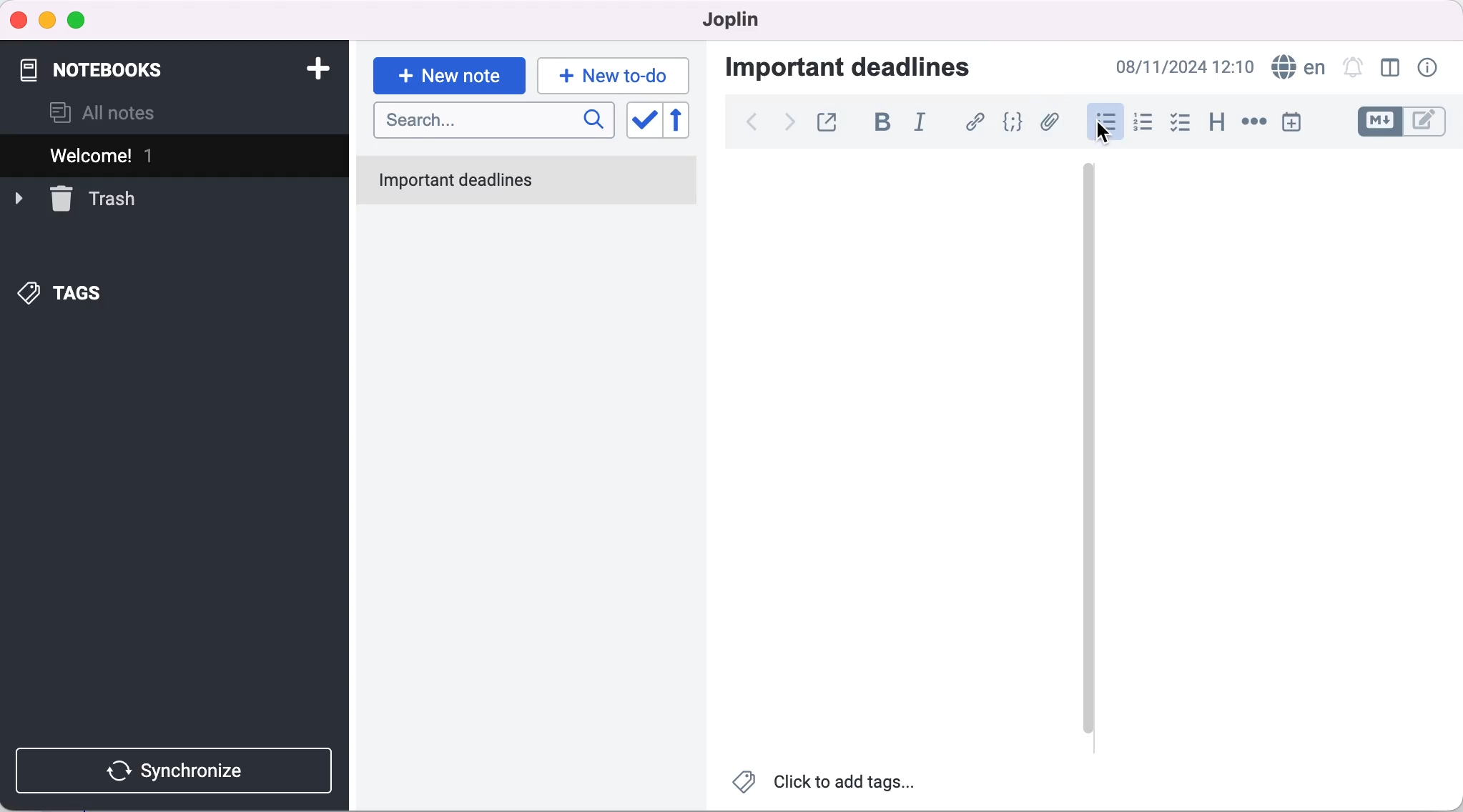 The image size is (1463, 812). Describe the element at coordinates (1254, 458) in the screenshot. I see `blank canvas` at that location.